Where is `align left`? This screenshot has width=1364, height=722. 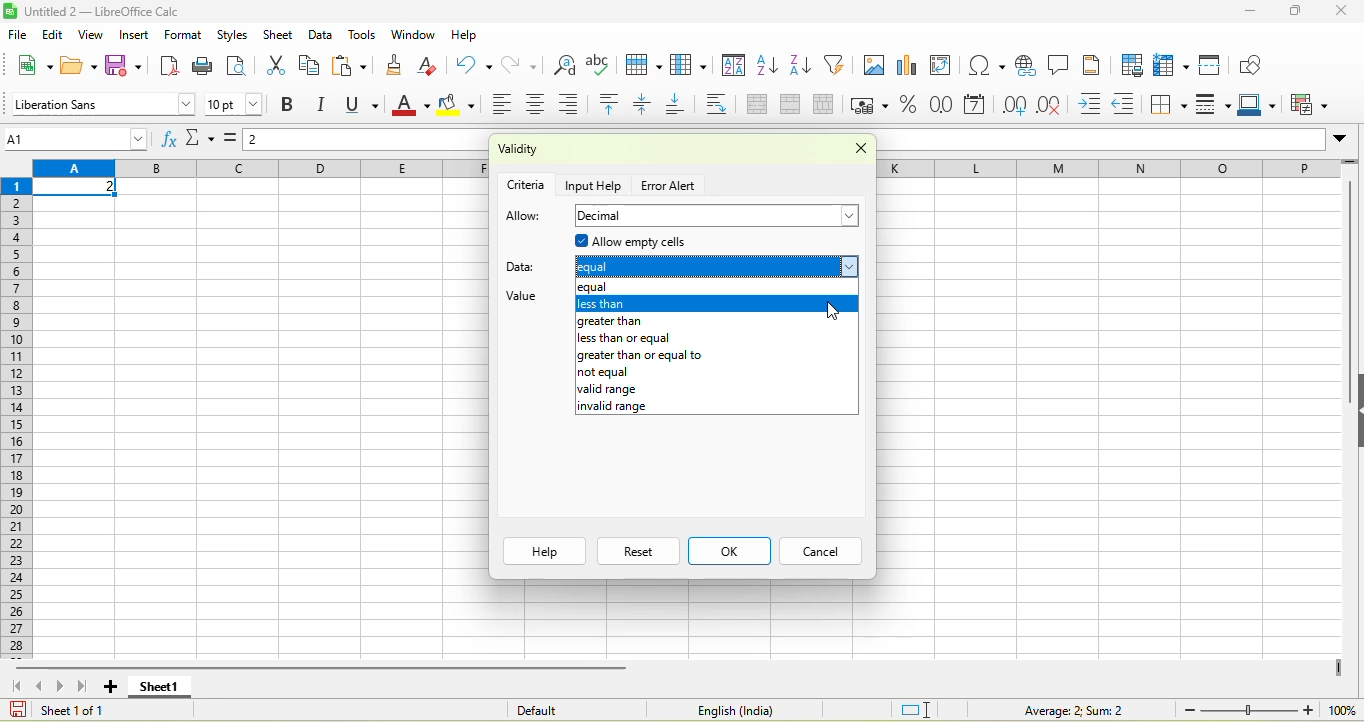
align left is located at coordinates (500, 106).